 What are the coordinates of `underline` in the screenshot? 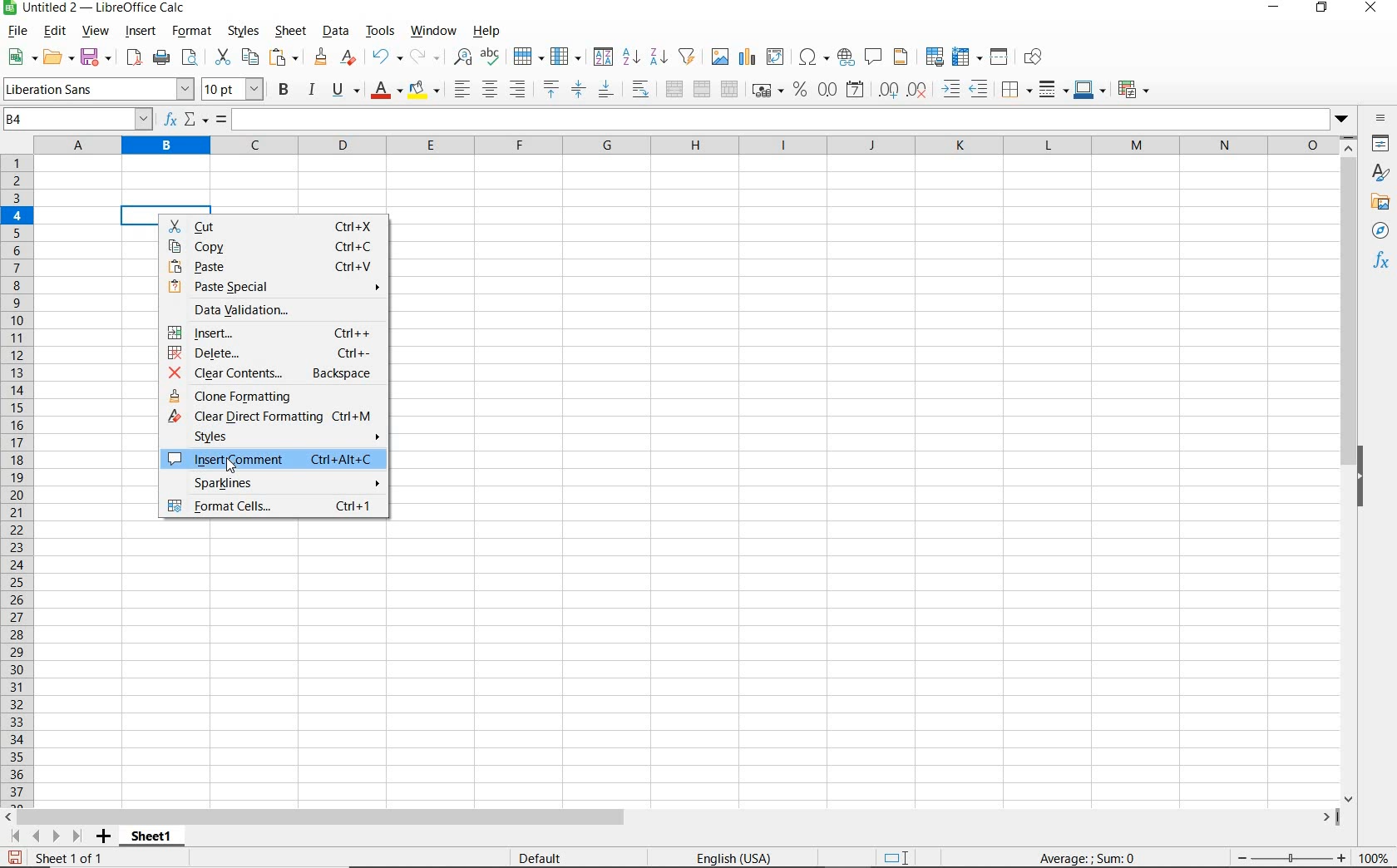 It's located at (346, 92).